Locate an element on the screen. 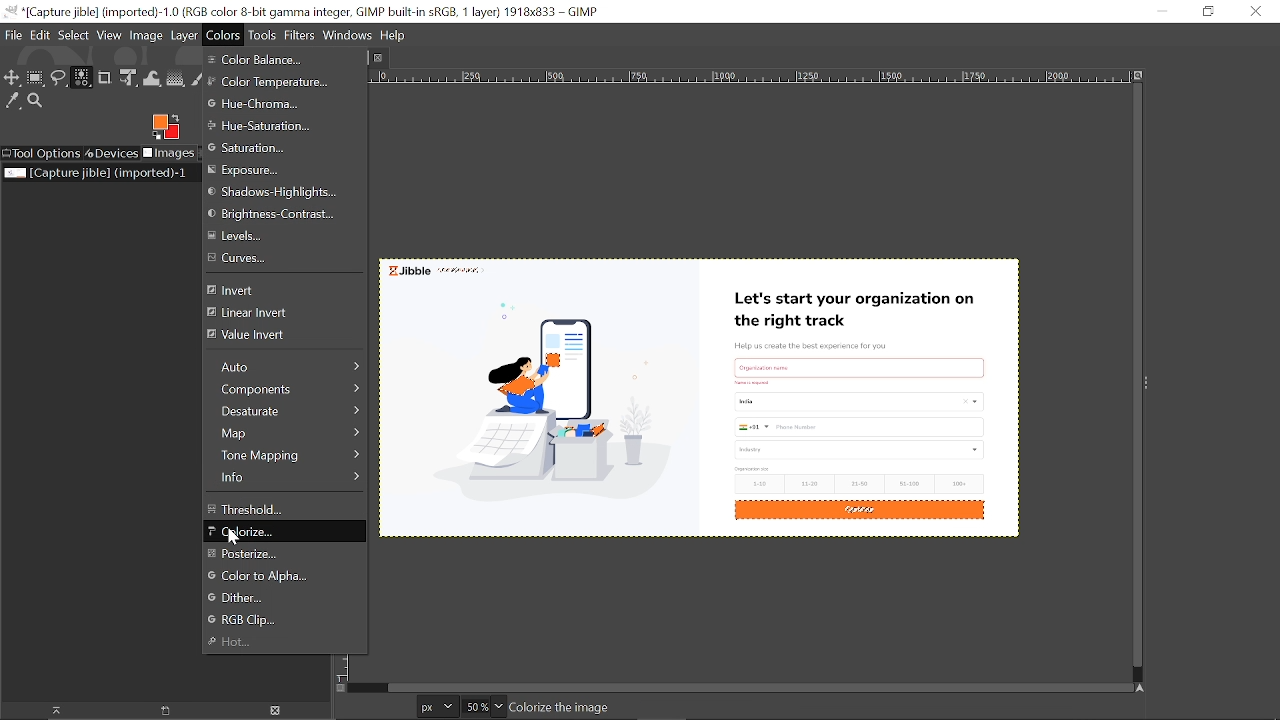  Image is located at coordinates (147, 36).